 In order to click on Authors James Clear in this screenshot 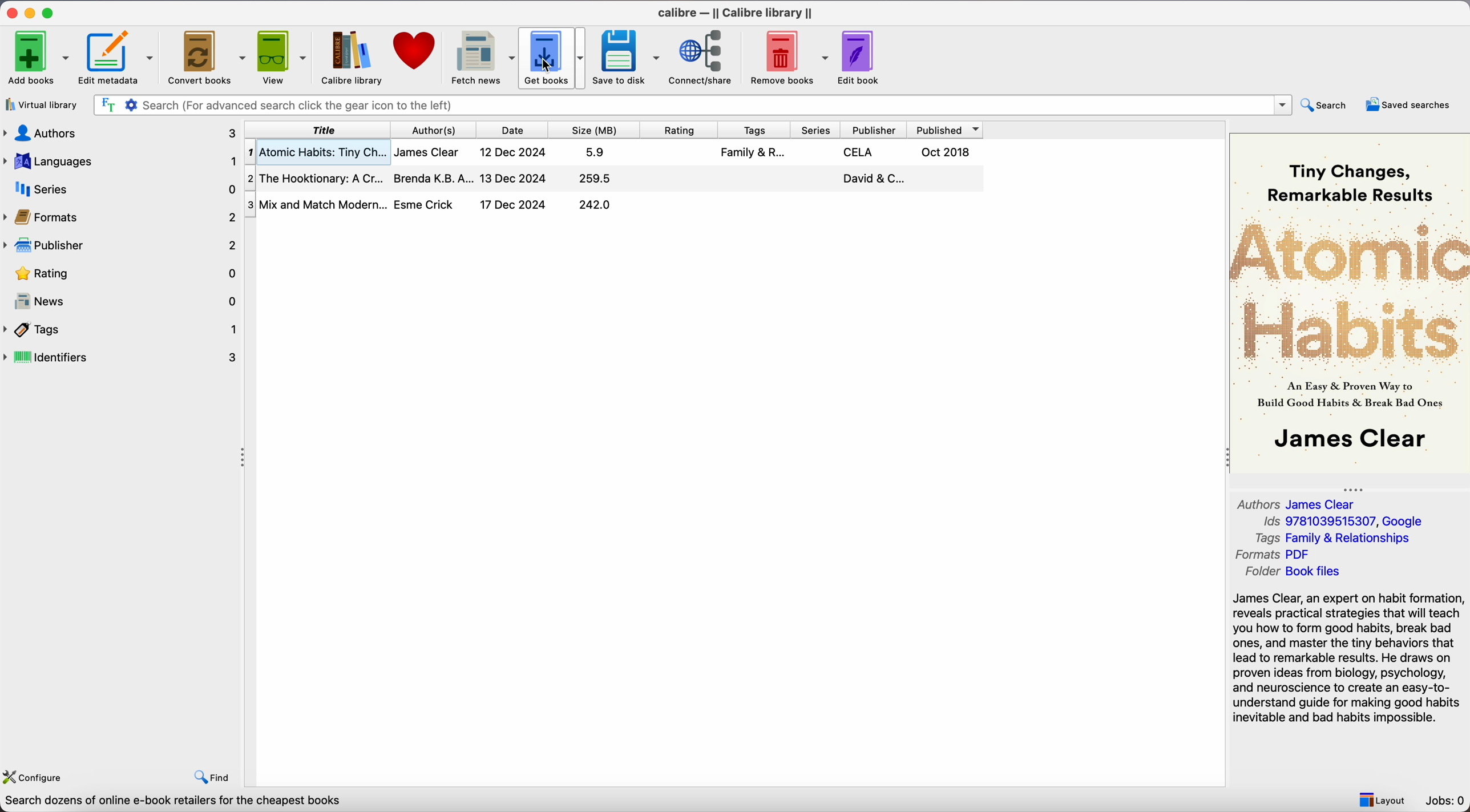, I will do `click(1298, 503)`.